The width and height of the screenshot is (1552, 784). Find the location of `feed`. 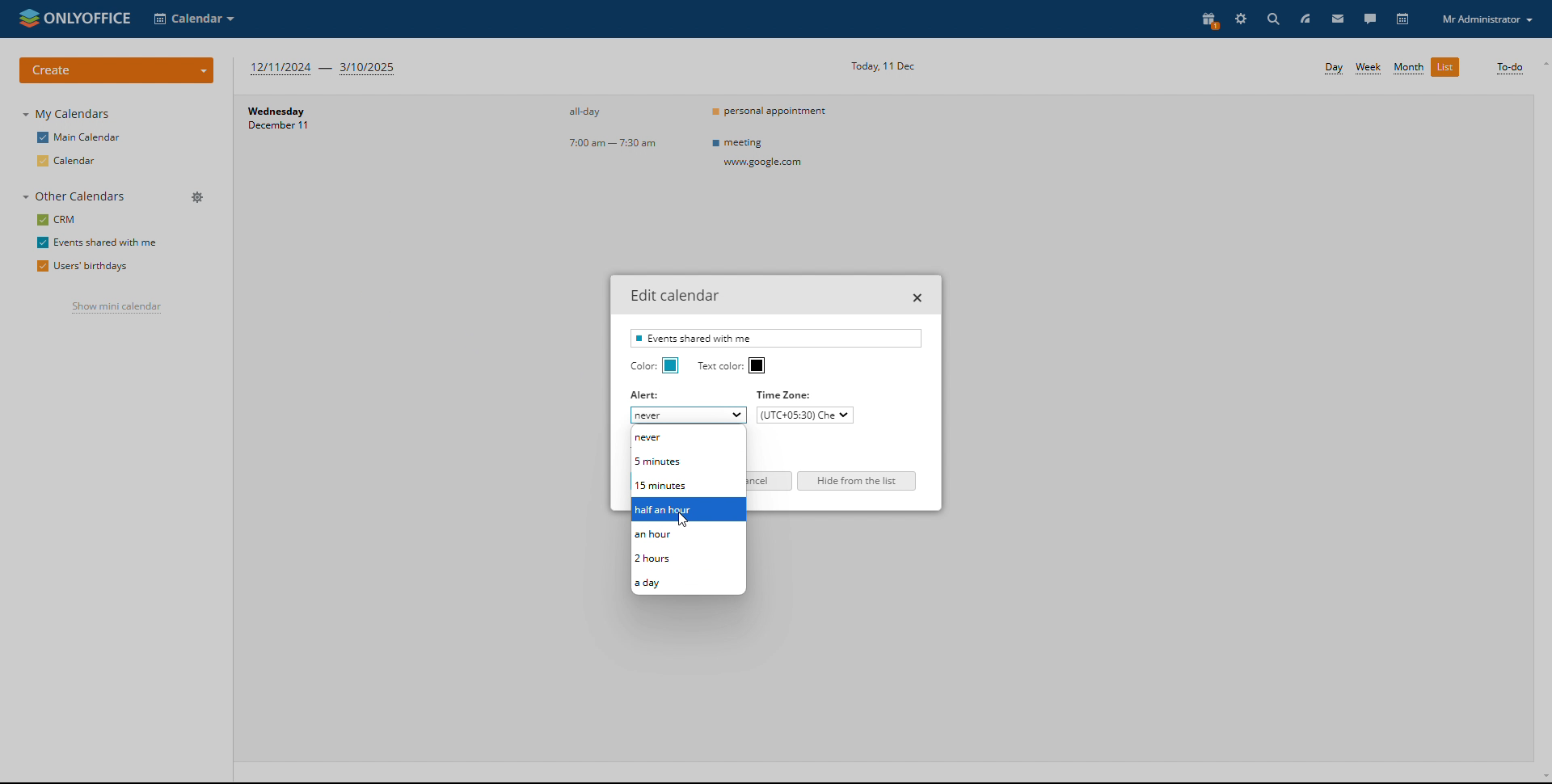

feed is located at coordinates (1304, 19).